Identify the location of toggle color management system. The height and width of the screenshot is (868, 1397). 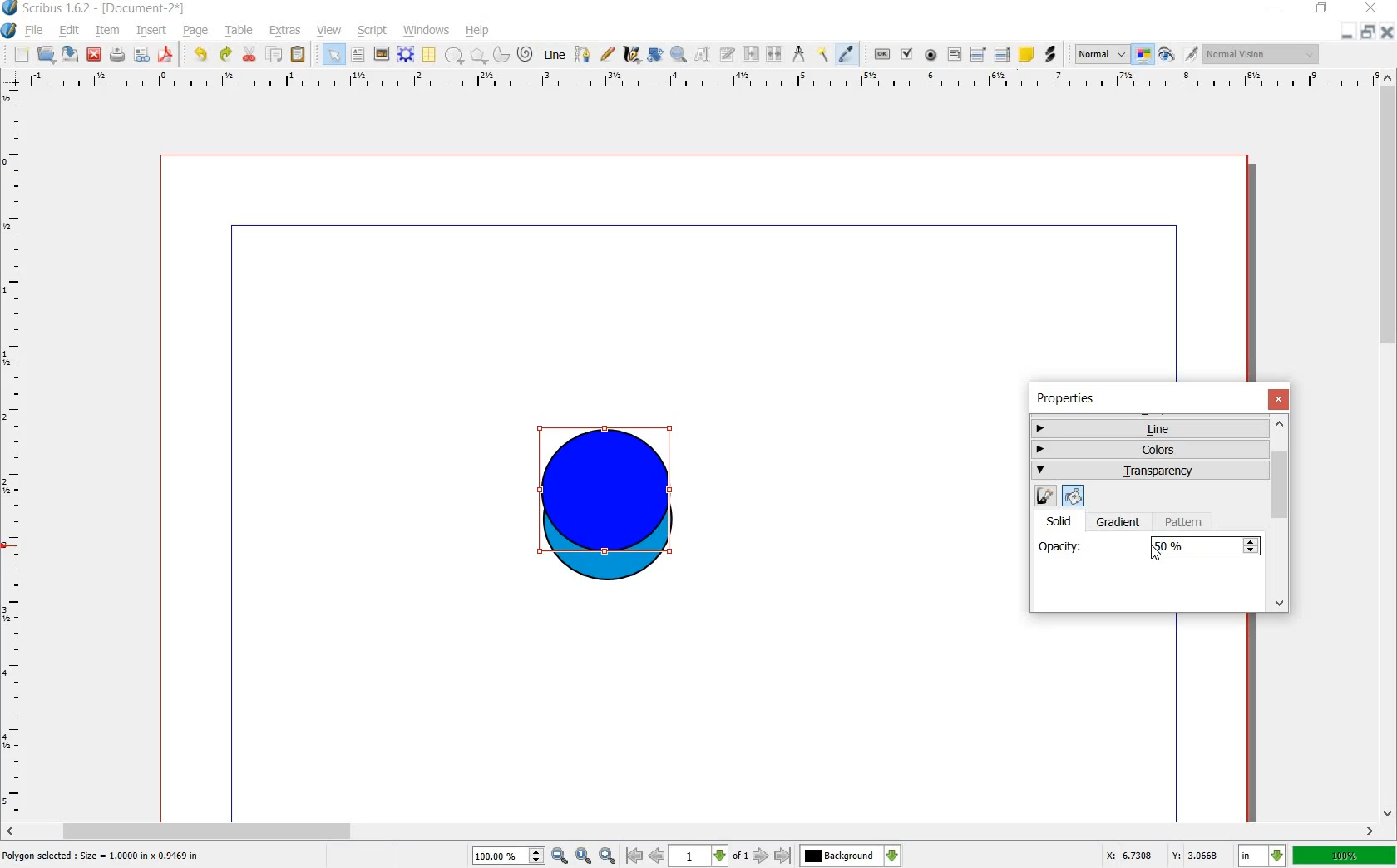
(1143, 54).